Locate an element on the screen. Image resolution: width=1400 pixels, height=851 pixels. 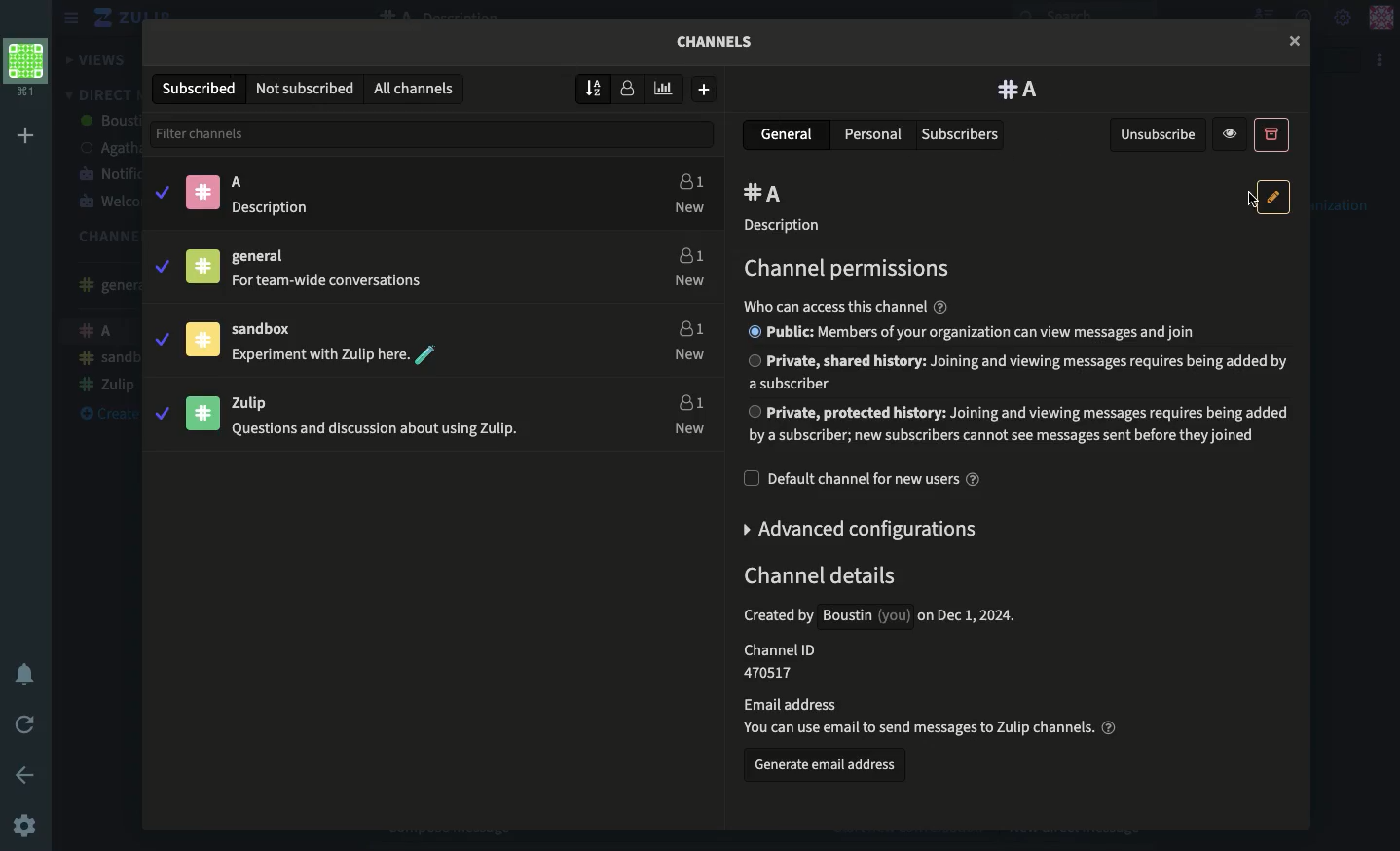
Users is located at coordinates (685, 264).